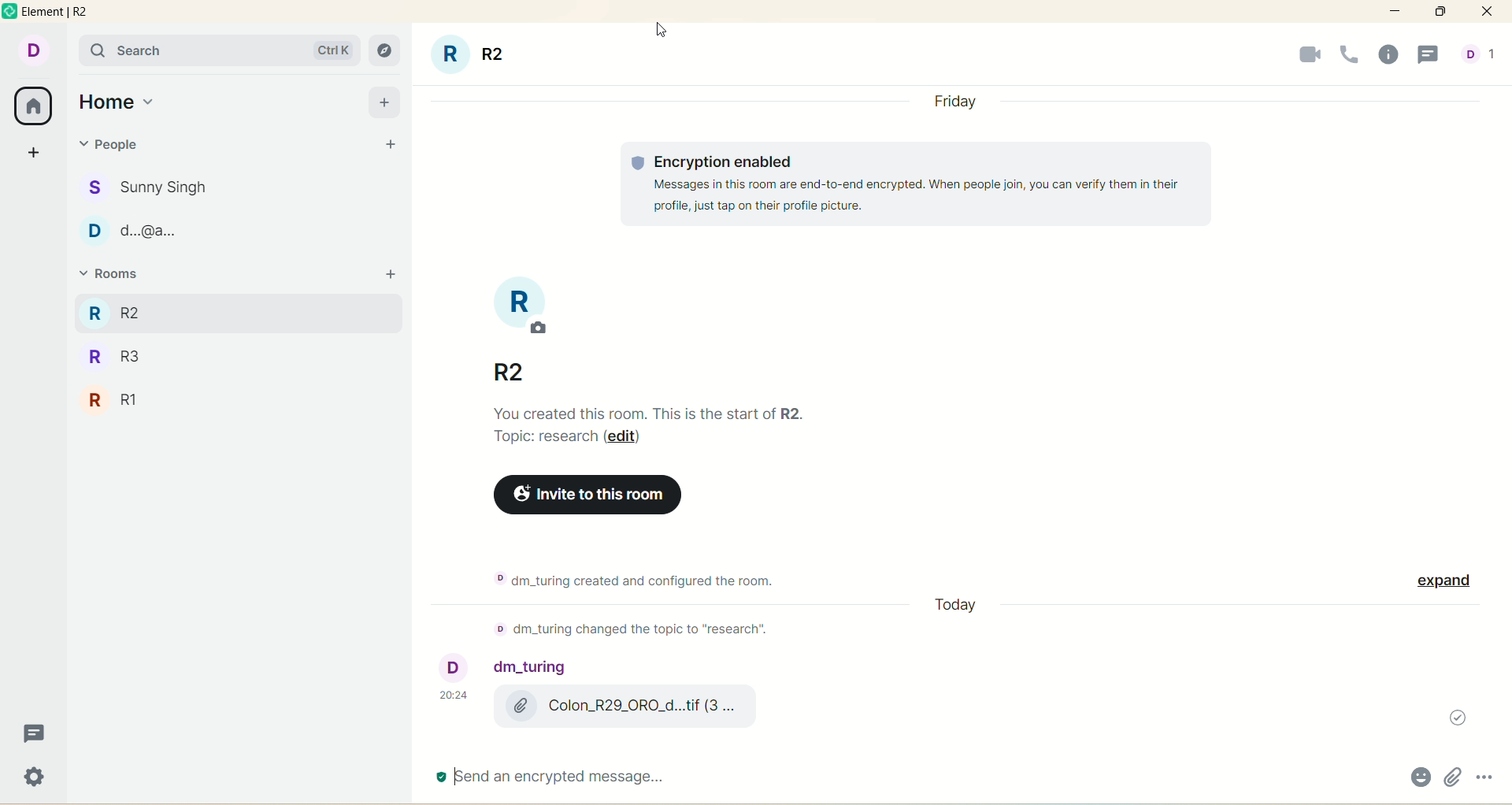 This screenshot has height=805, width=1512. What do you see at coordinates (125, 360) in the screenshot?
I see `R2` at bounding box center [125, 360].